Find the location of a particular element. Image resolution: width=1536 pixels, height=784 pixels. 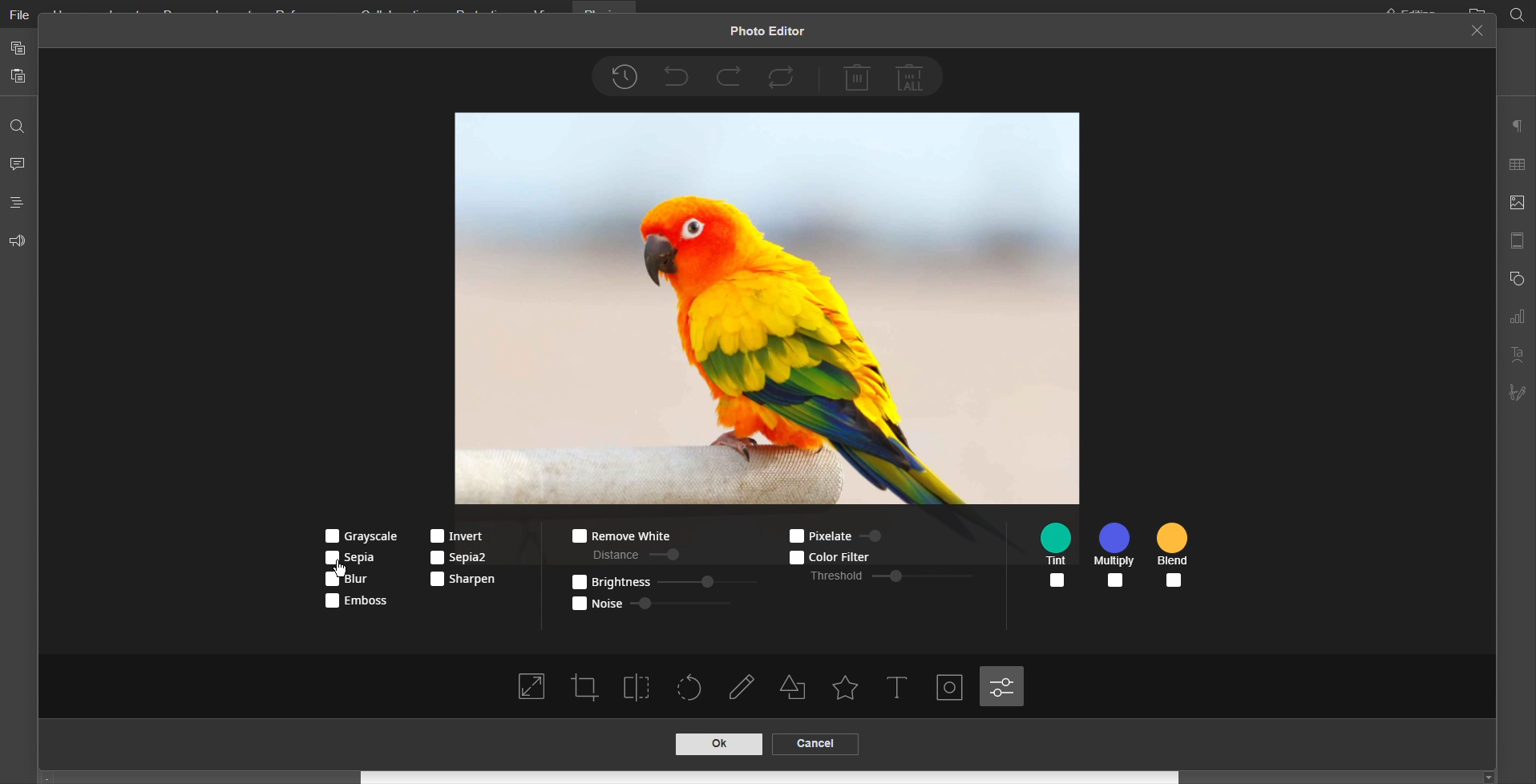

Text is located at coordinates (899, 689).